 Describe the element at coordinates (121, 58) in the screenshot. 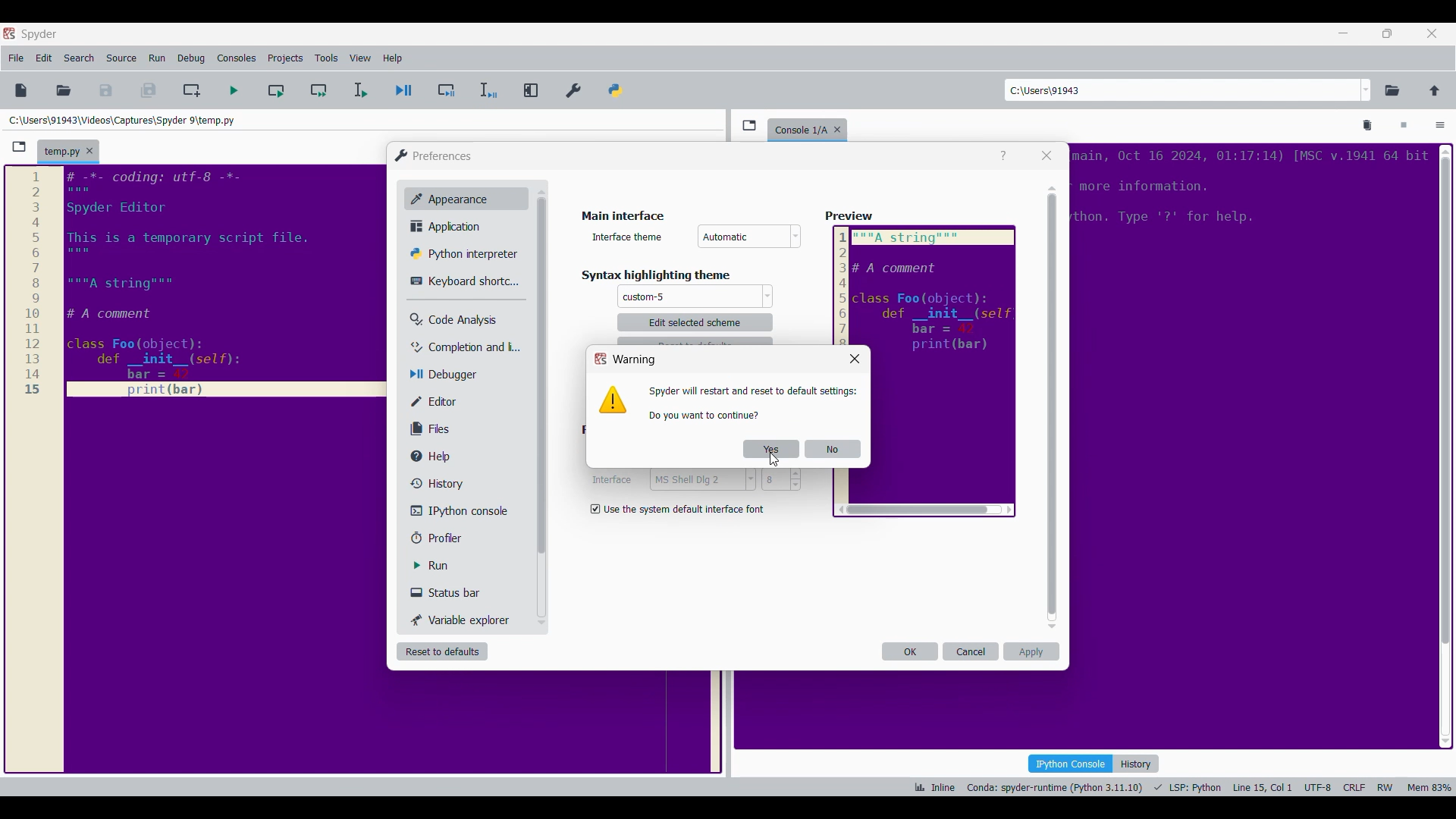

I see `Source menu` at that location.